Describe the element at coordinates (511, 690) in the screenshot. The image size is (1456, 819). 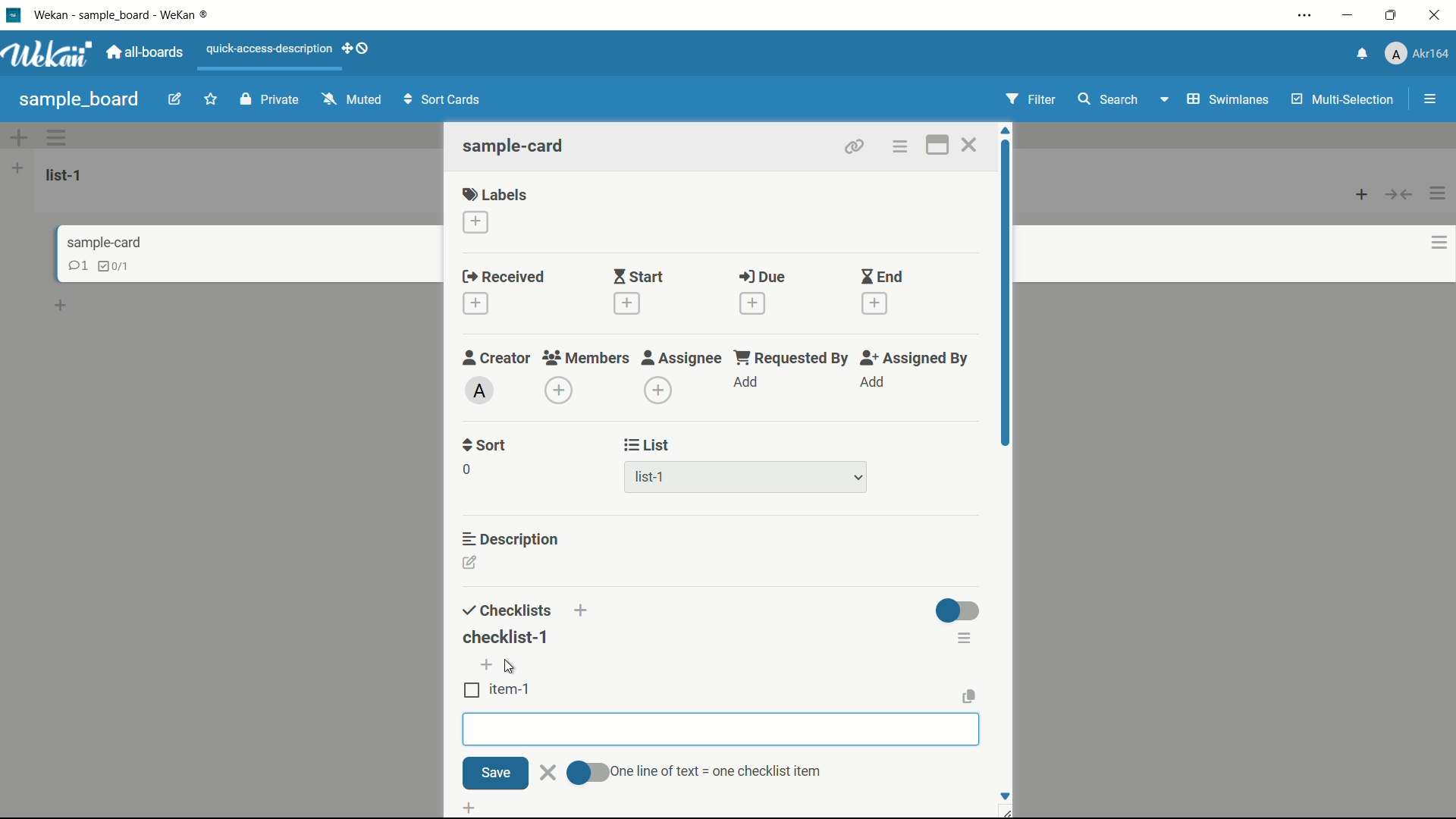
I see `item-1` at that location.